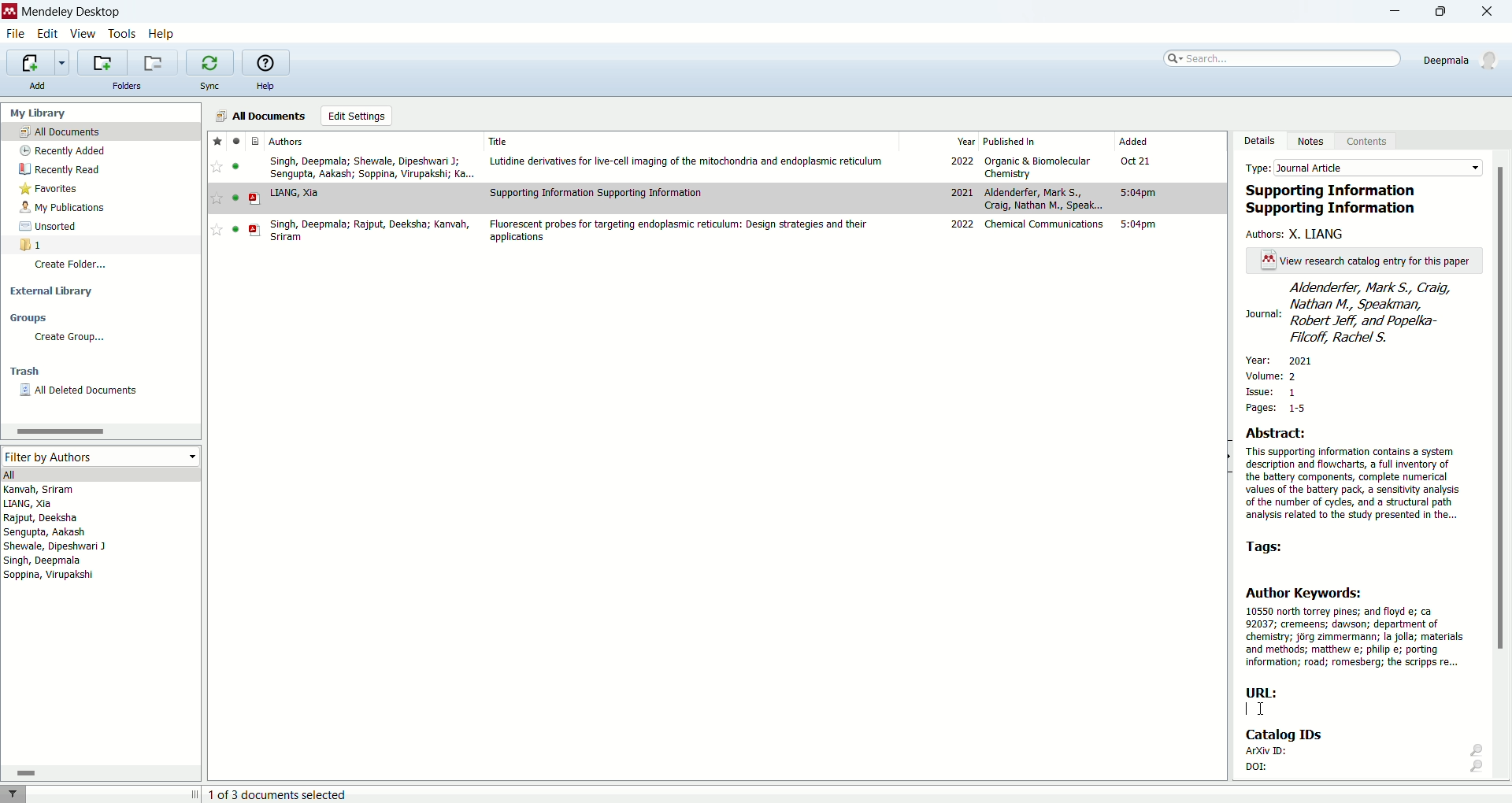 The height and width of the screenshot is (803, 1512). Describe the element at coordinates (1360, 167) in the screenshot. I see `type: journal article` at that location.